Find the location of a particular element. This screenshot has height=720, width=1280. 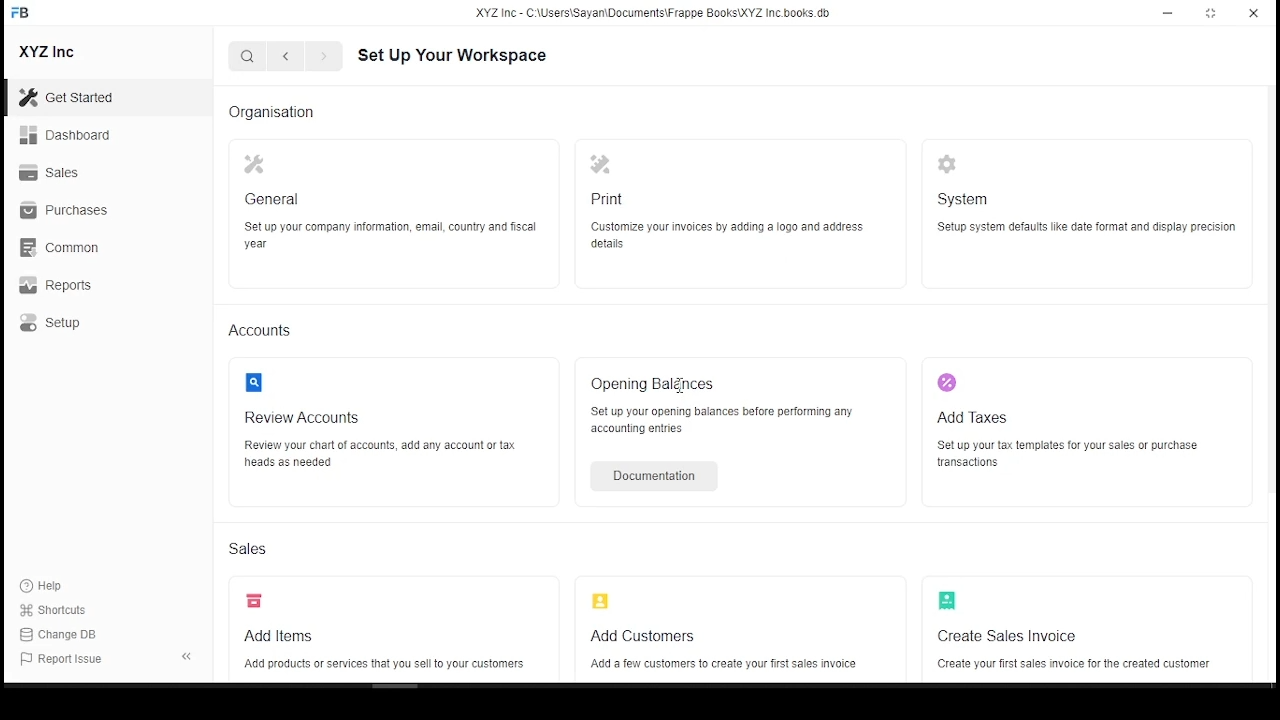

review accounts is located at coordinates (306, 418).